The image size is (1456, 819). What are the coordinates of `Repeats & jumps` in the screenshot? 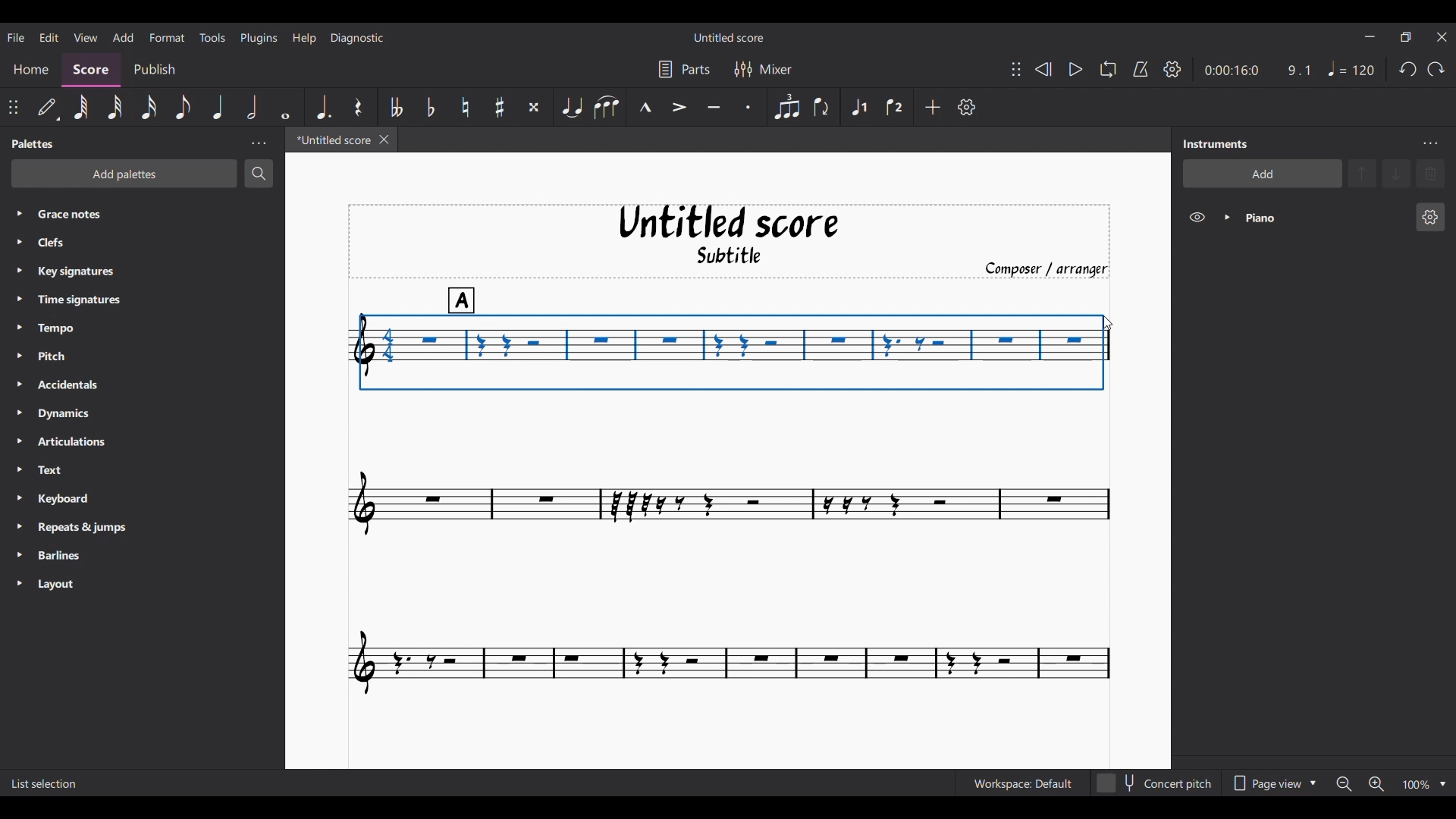 It's located at (89, 527).